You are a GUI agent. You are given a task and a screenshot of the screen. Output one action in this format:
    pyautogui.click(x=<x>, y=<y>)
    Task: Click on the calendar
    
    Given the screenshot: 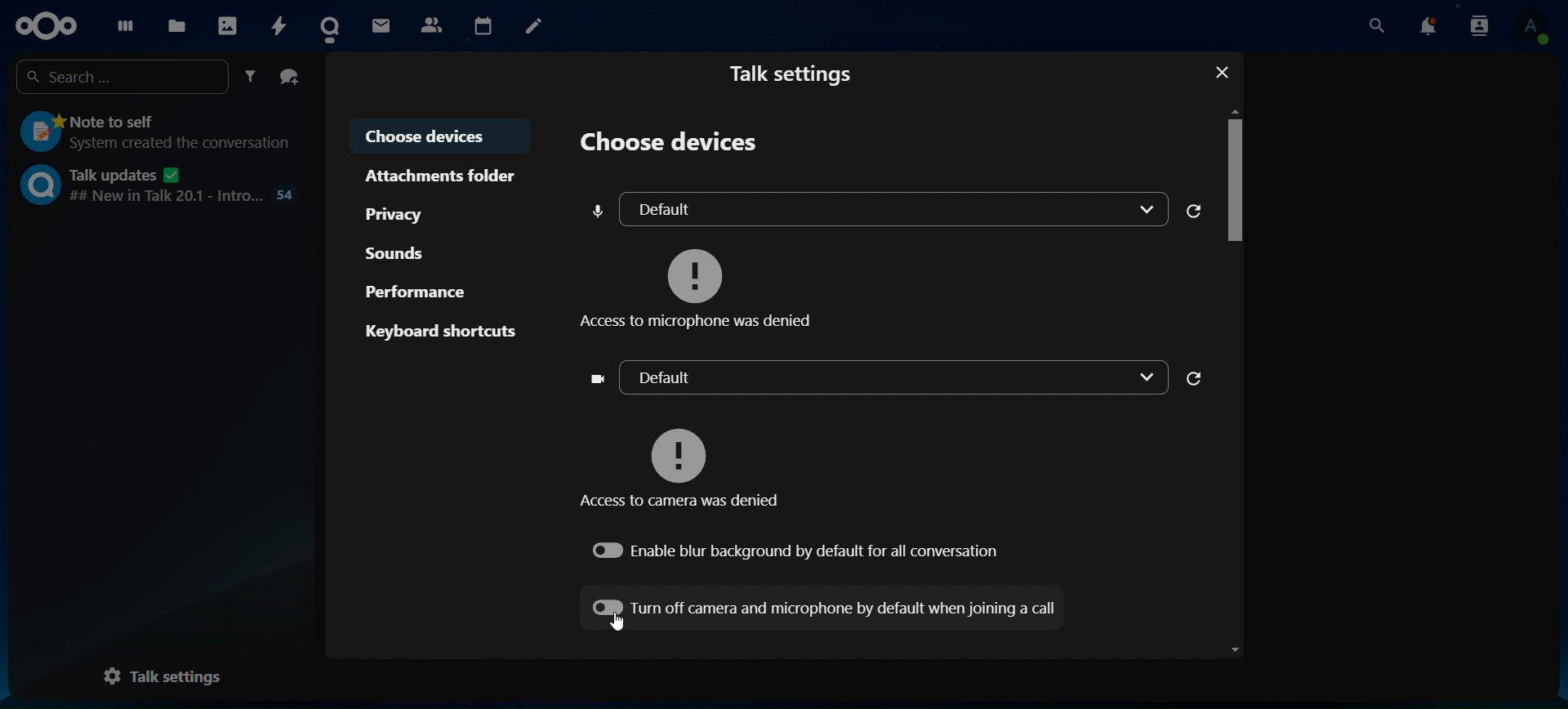 What is the action you would take?
    pyautogui.click(x=485, y=22)
    